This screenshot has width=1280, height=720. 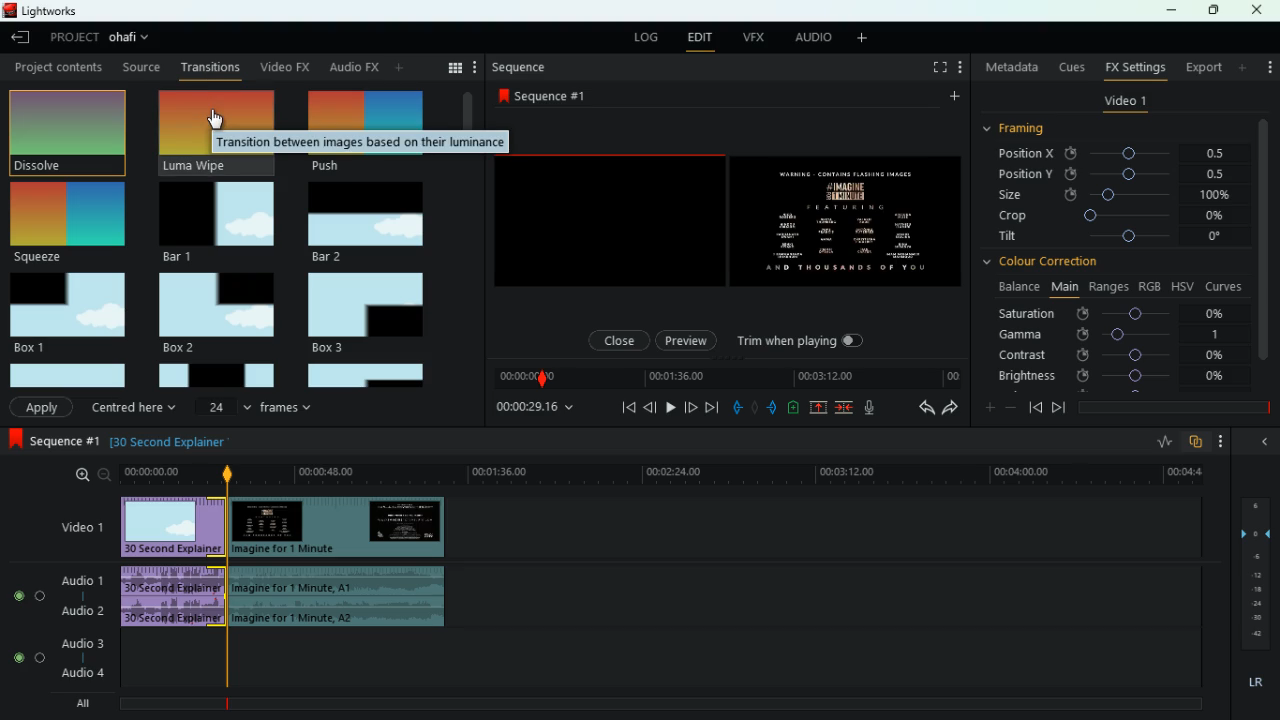 I want to click on screen, so click(x=727, y=227).